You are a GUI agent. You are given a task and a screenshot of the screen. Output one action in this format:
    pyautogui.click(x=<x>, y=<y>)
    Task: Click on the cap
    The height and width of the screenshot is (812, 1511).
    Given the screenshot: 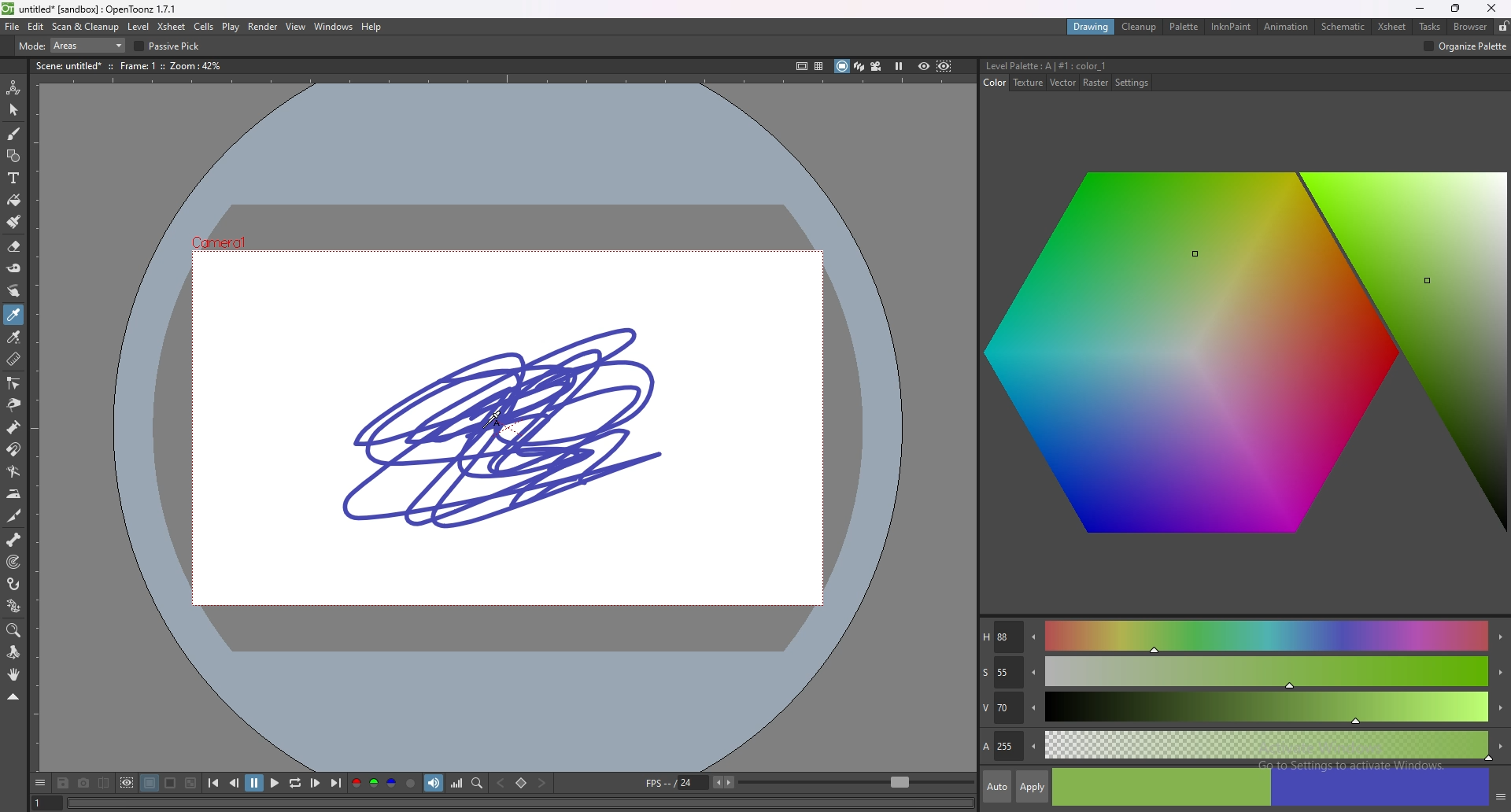 What is the action you would take?
    pyautogui.click(x=1197, y=45)
    